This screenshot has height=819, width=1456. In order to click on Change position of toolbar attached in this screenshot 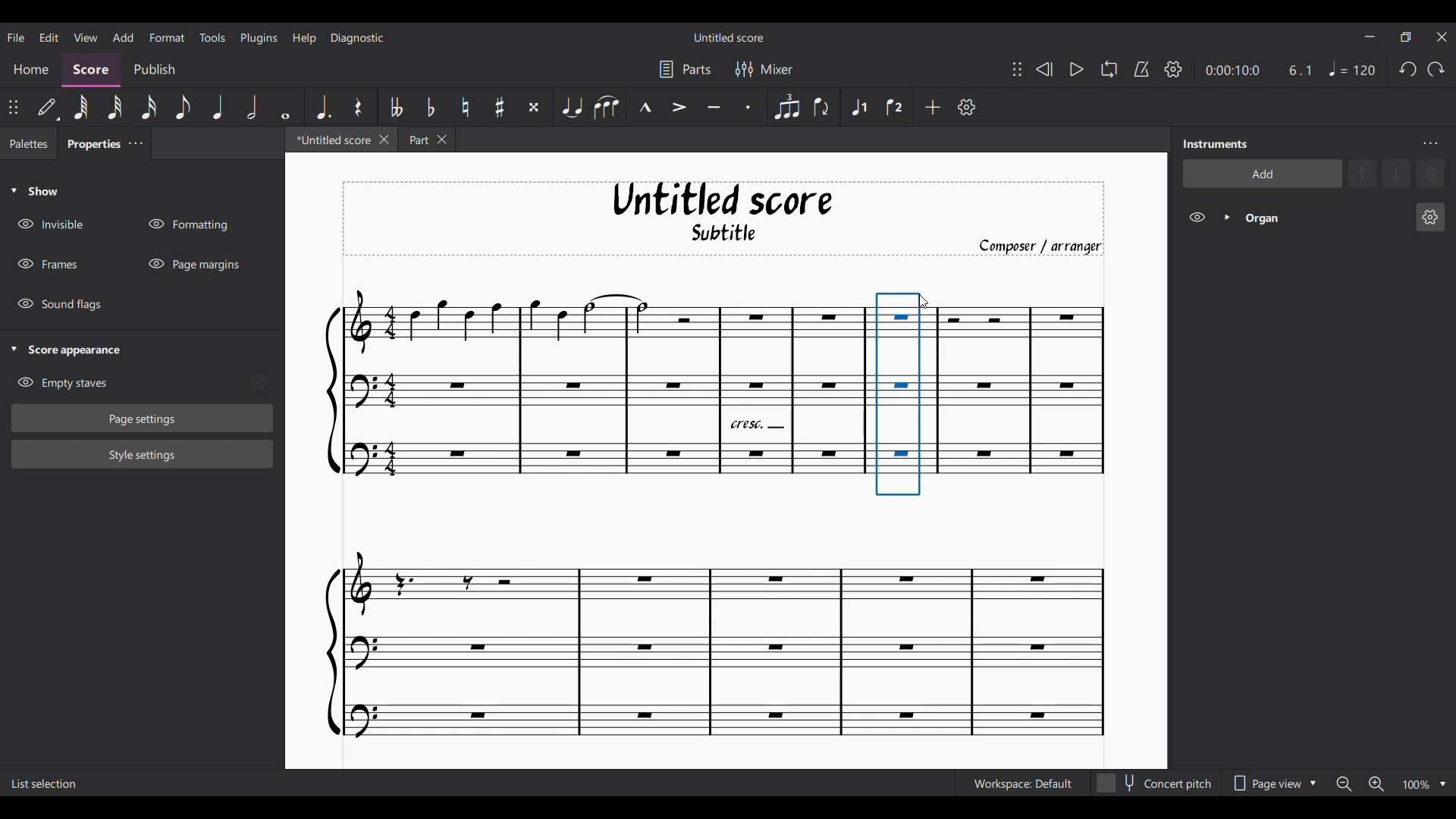, I will do `click(1017, 70)`.